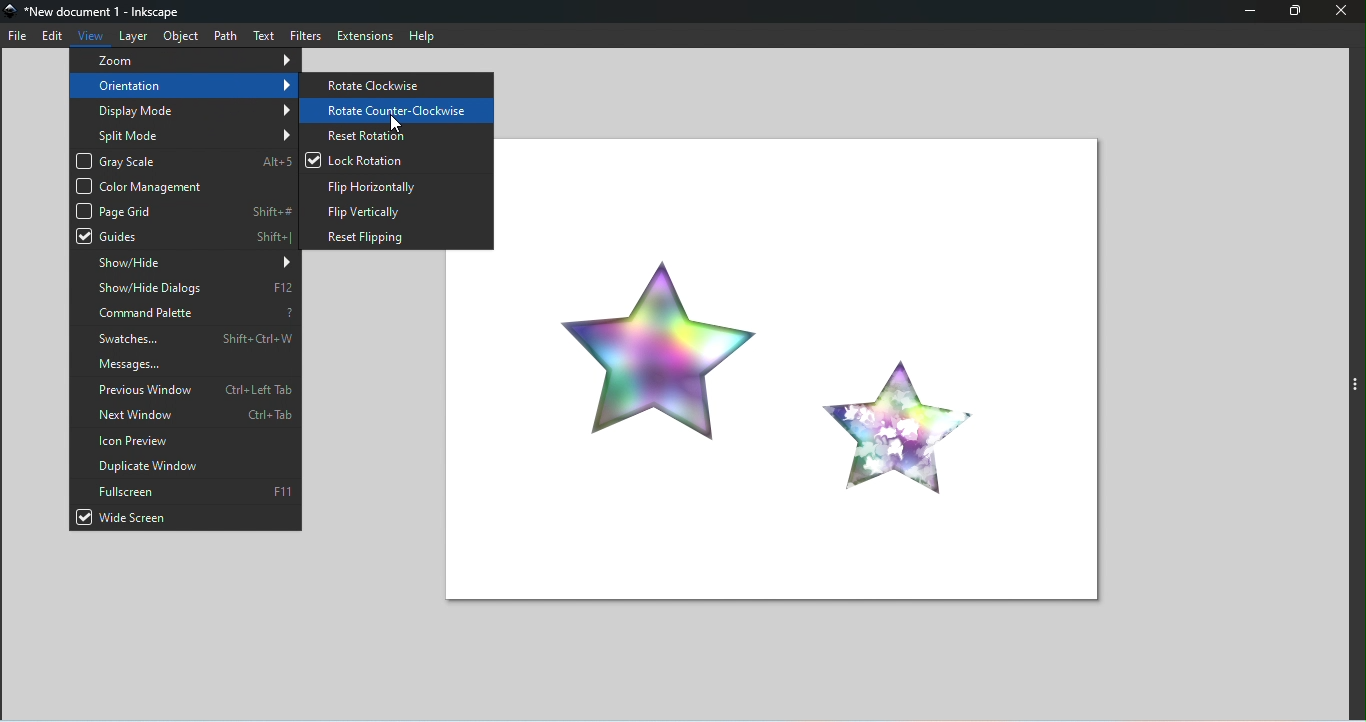 This screenshot has height=722, width=1366. What do you see at coordinates (395, 184) in the screenshot?
I see `Flip horizontally` at bounding box center [395, 184].